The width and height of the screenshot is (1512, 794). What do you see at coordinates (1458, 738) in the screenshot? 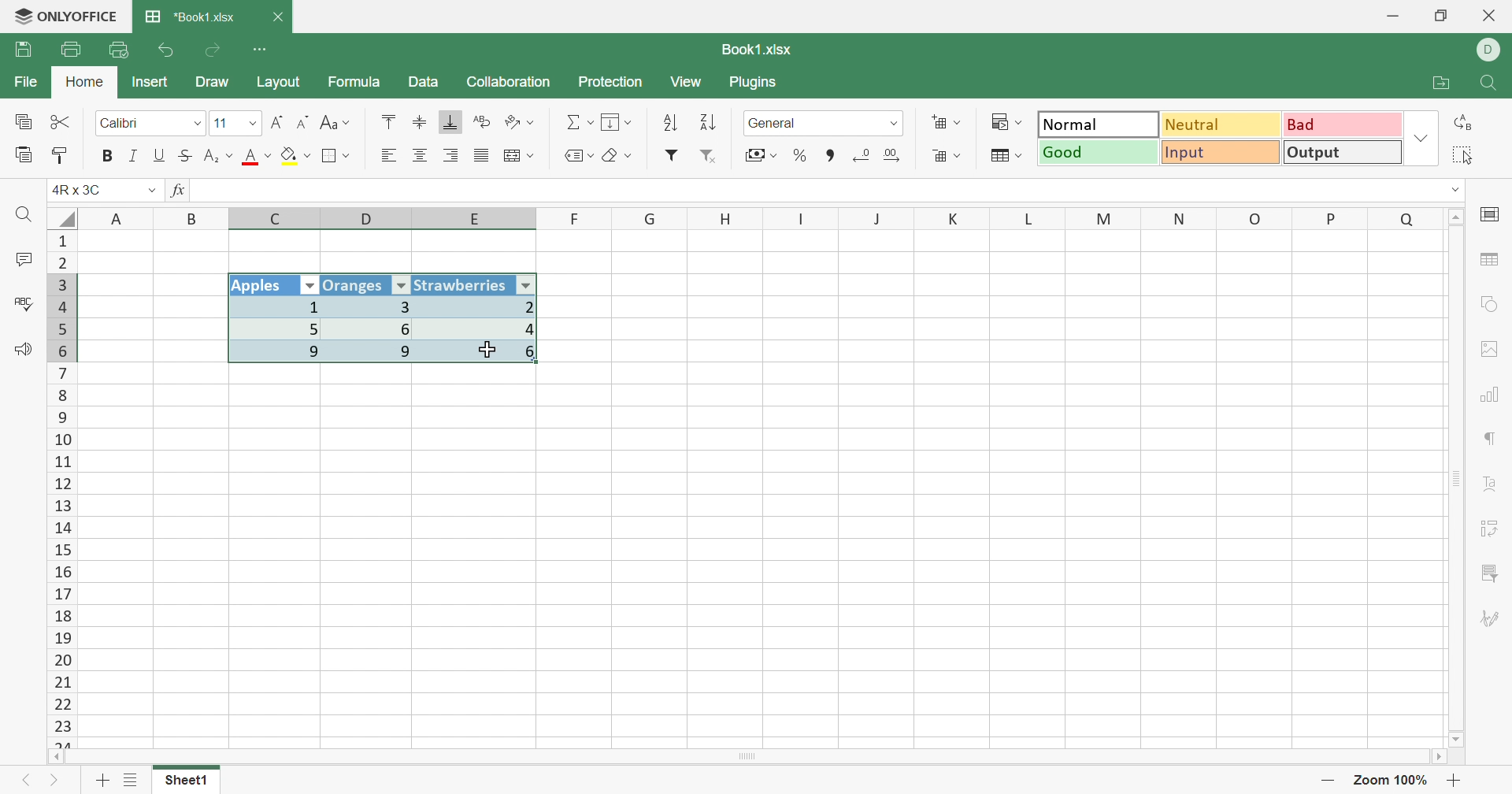
I see `Scroll Down` at bounding box center [1458, 738].